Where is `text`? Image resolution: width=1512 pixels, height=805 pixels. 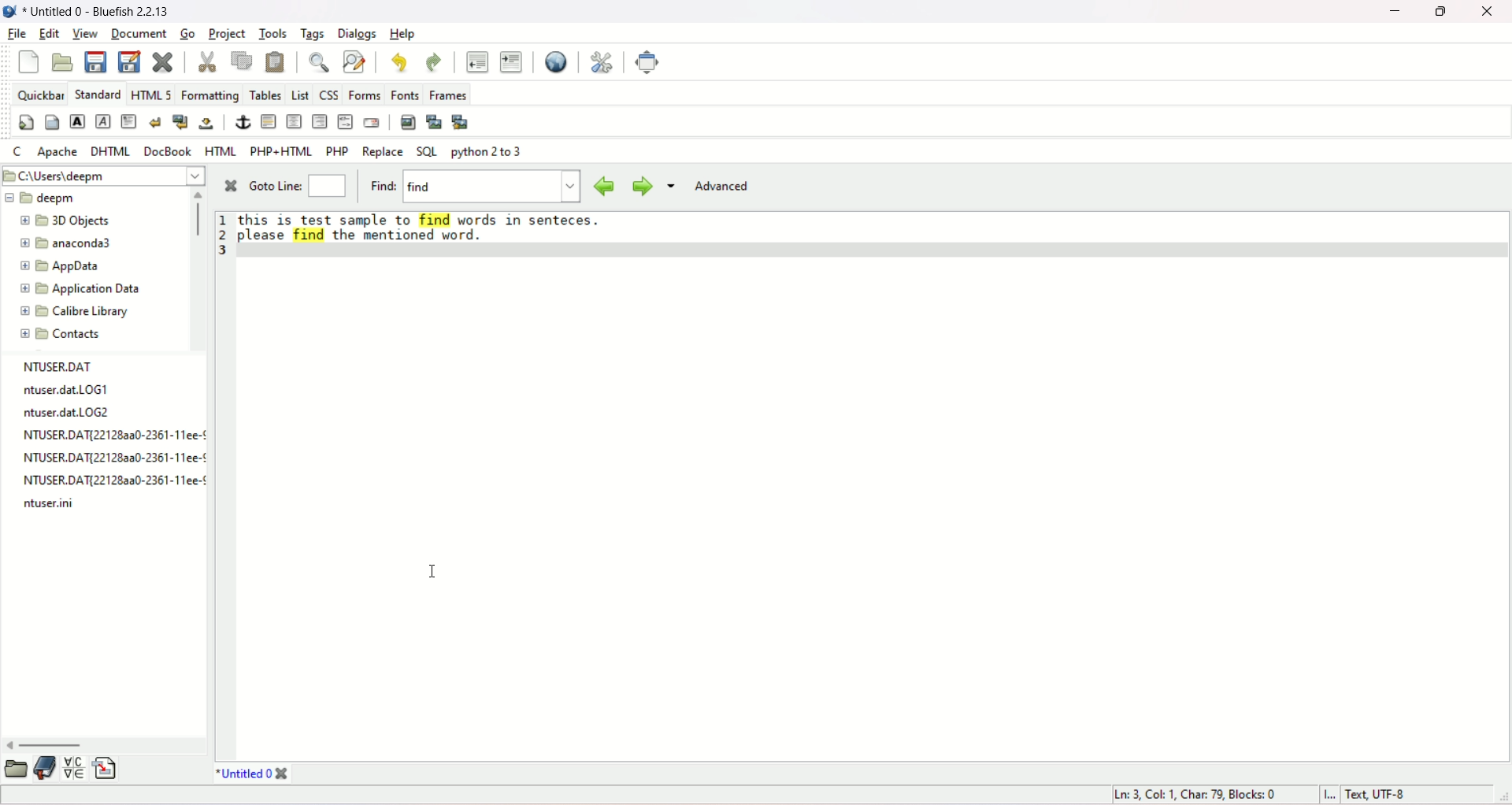
text is located at coordinates (261, 236).